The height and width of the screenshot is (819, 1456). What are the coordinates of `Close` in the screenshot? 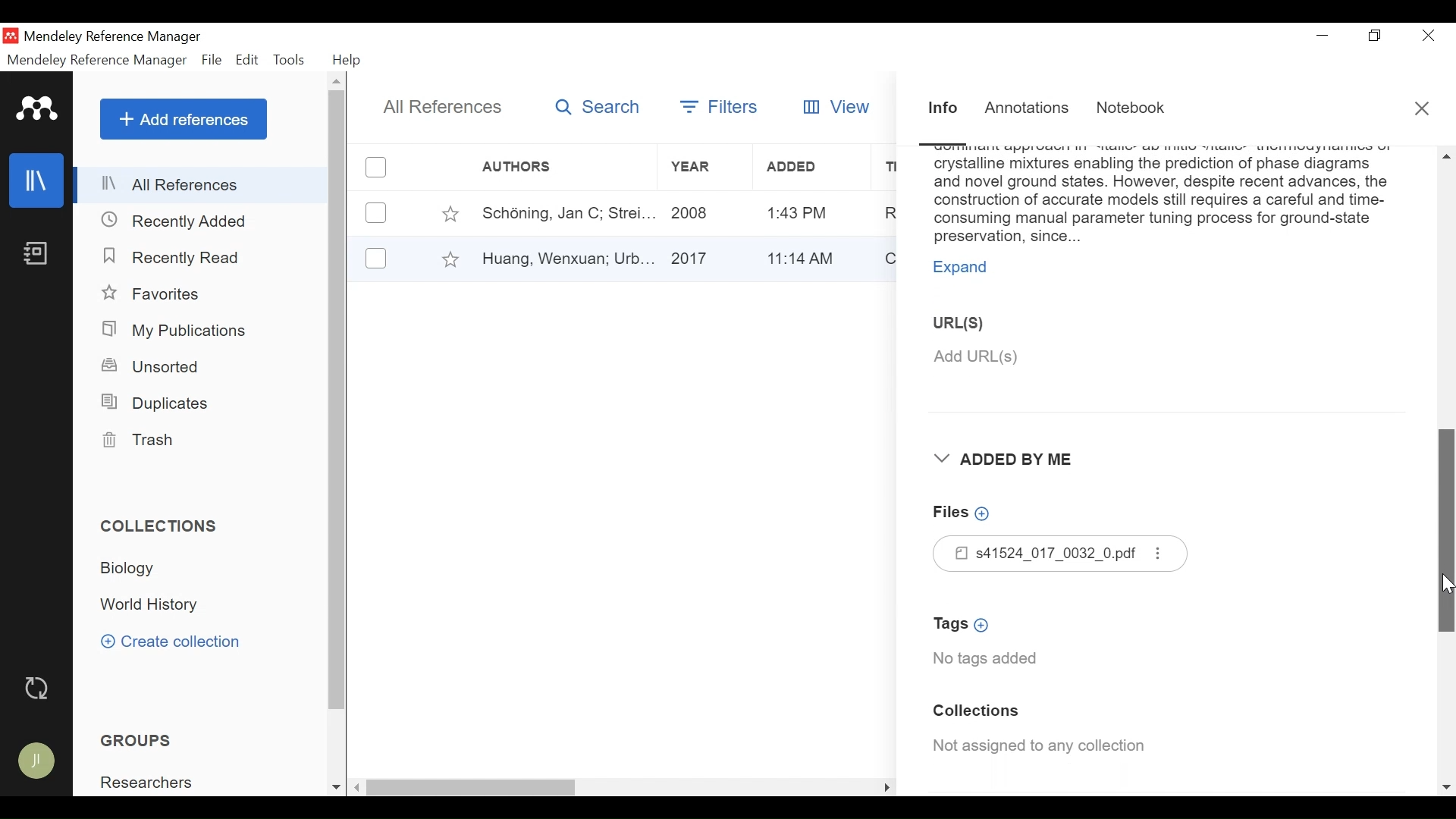 It's located at (1430, 35).